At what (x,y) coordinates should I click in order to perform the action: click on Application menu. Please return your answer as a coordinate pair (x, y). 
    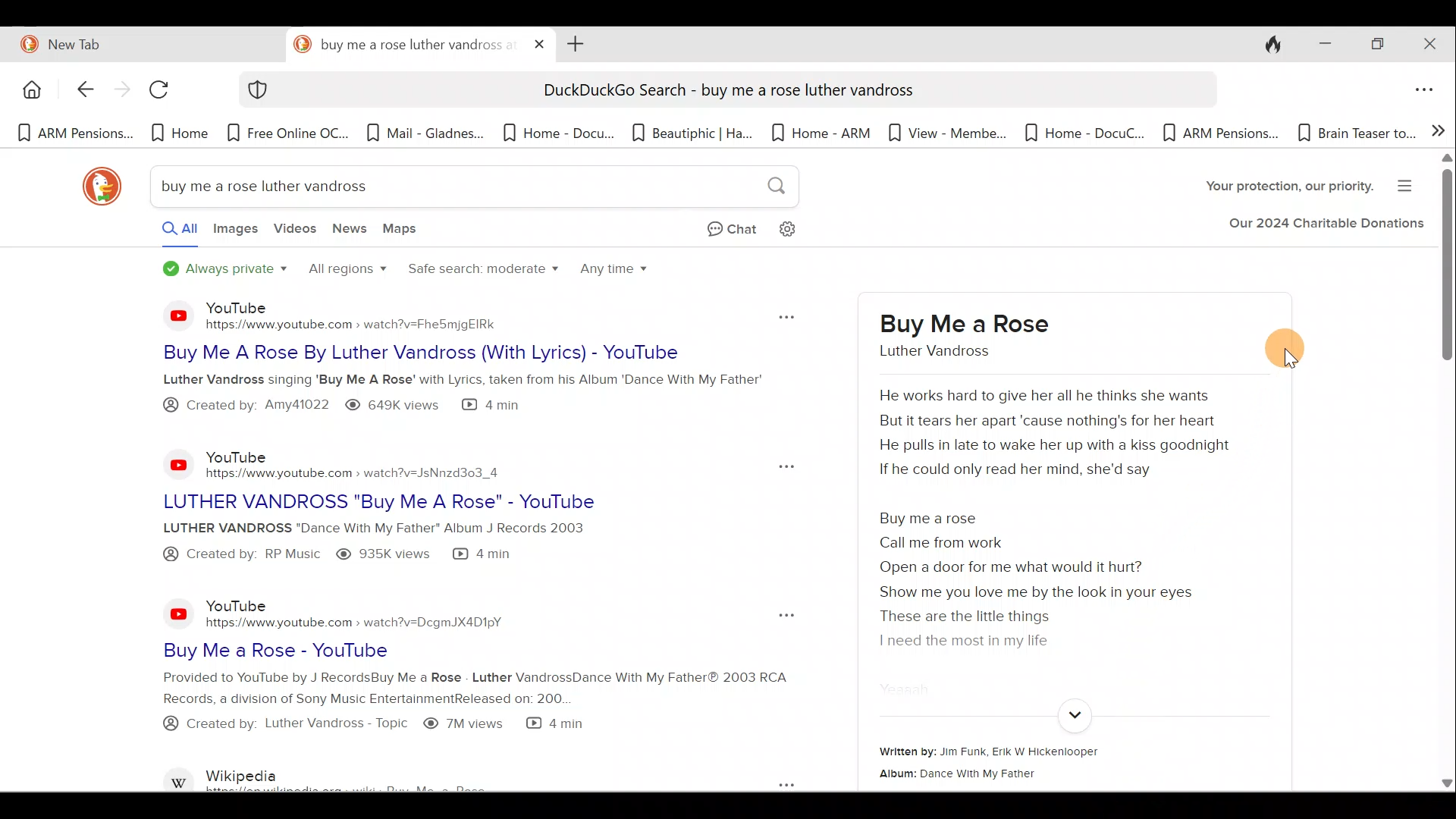
    Looking at the image, I should click on (1428, 91).